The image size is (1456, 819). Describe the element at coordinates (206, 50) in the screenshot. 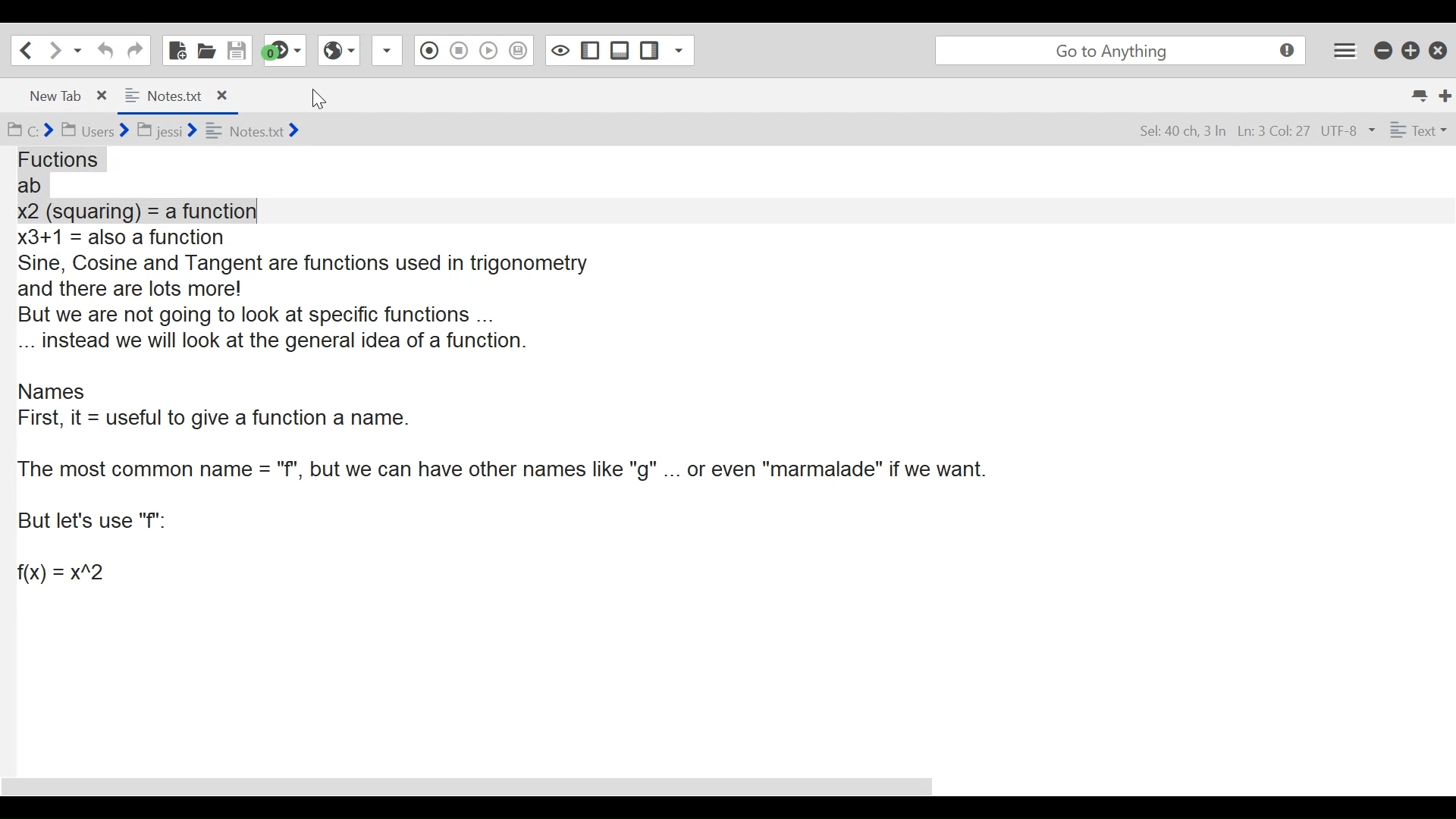

I see `Open File` at that location.